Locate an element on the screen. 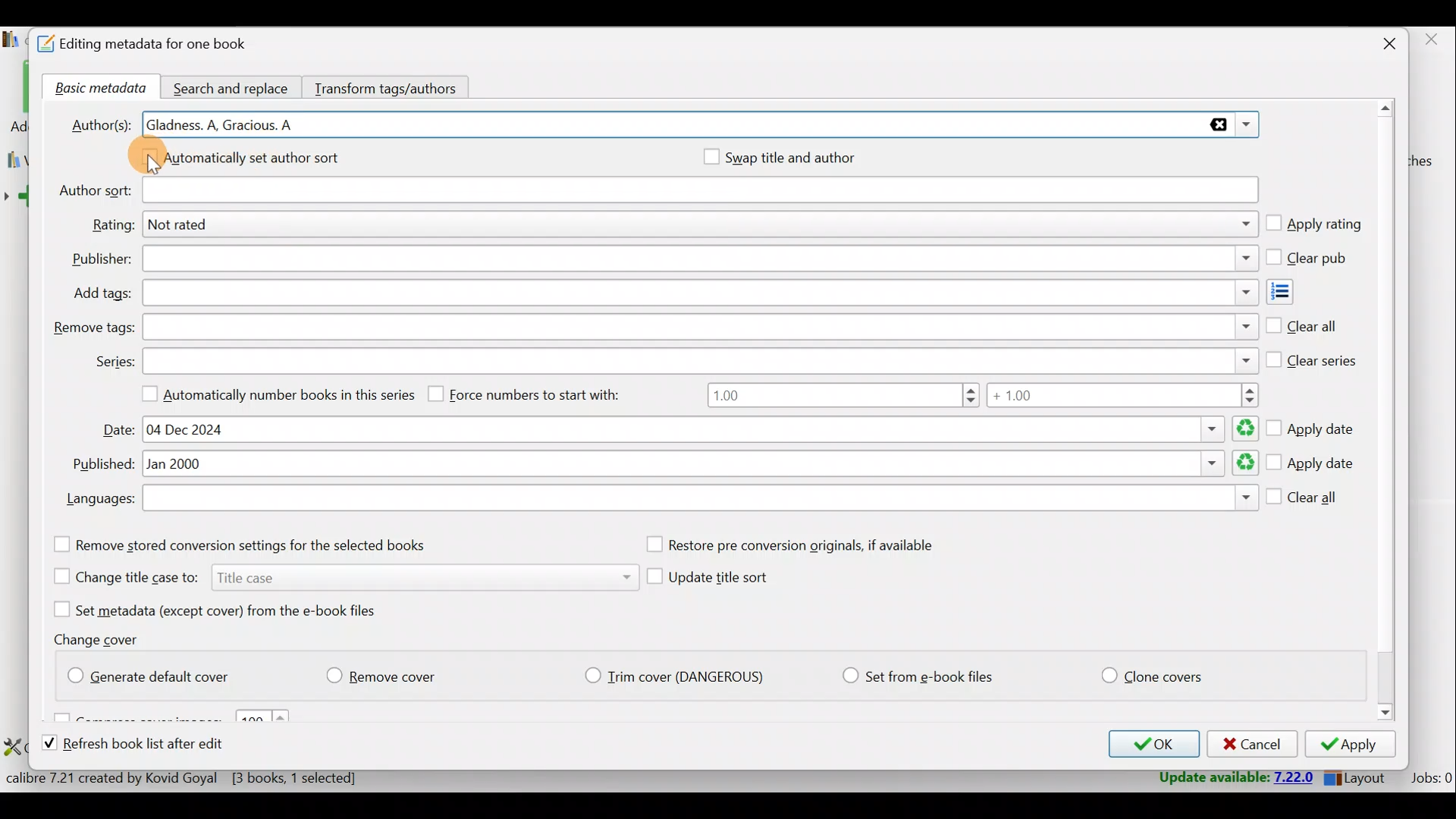  Clear all is located at coordinates (1302, 323).